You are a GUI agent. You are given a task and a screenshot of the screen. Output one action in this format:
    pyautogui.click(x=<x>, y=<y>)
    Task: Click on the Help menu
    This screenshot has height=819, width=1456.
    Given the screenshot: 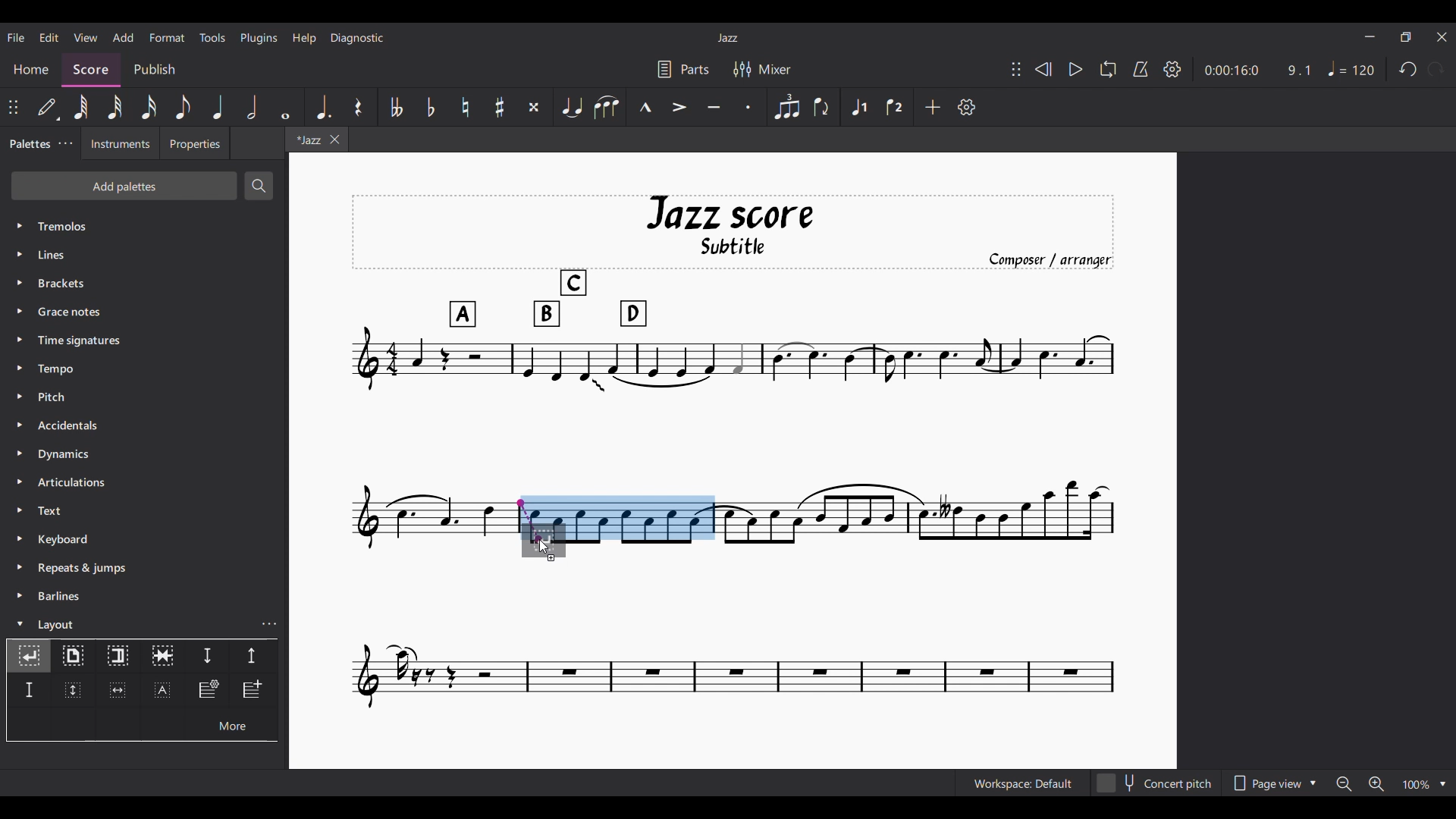 What is the action you would take?
    pyautogui.click(x=305, y=39)
    